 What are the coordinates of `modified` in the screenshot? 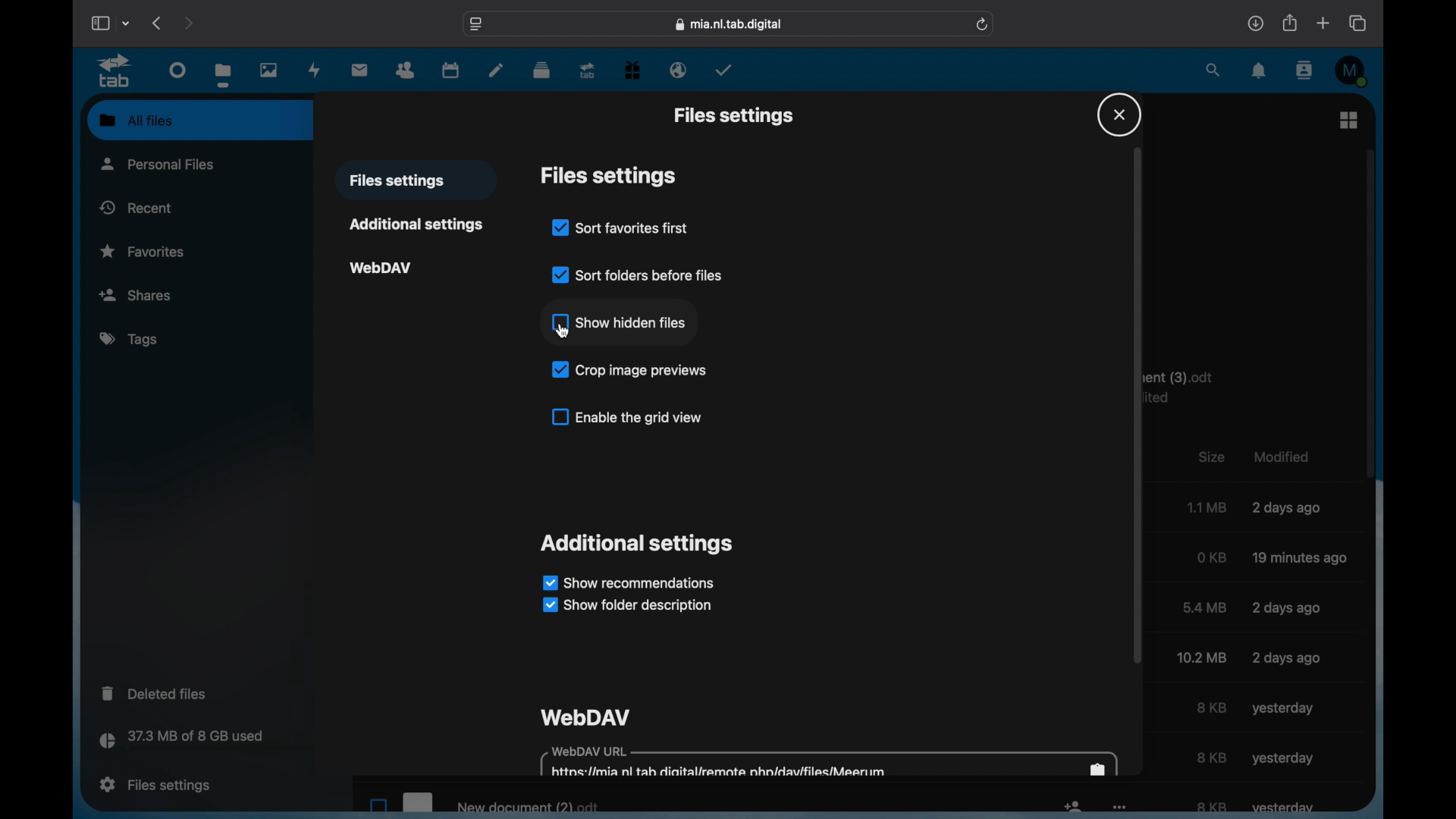 It's located at (1287, 507).